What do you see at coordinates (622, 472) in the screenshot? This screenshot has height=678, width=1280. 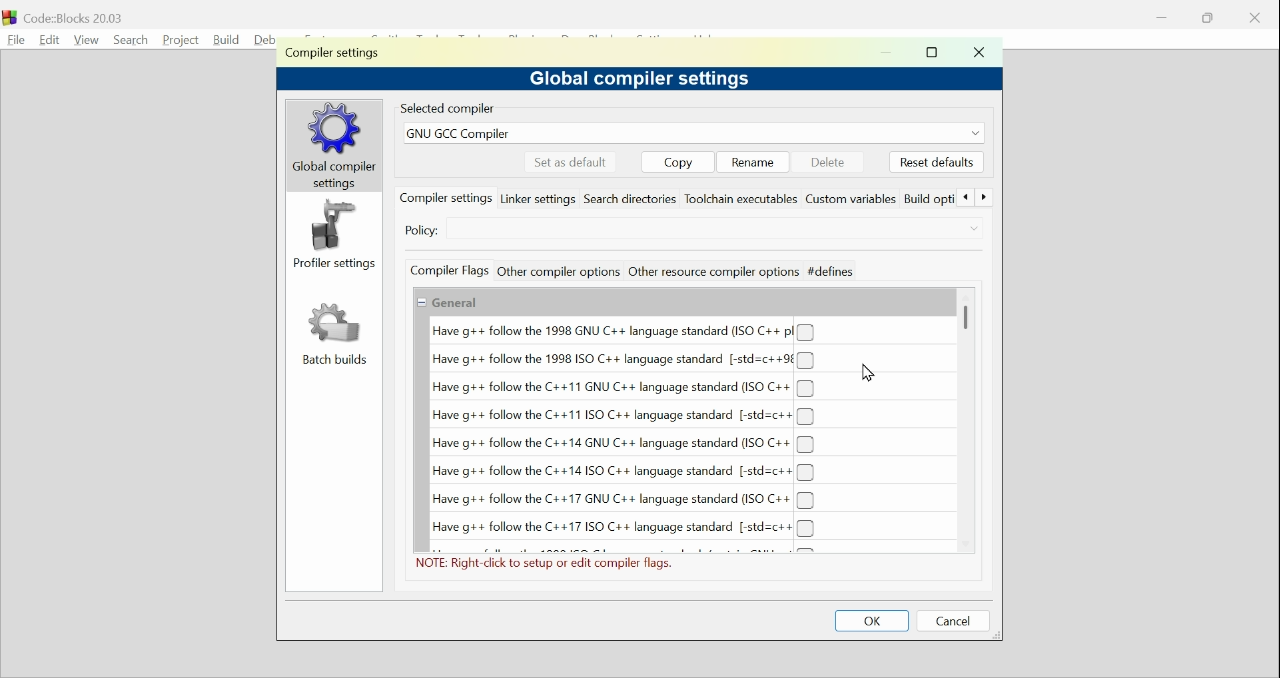 I see `(un)check Have g++follow the C++14 GNU C++ language standard (-std-c++` at bounding box center [622, 472].